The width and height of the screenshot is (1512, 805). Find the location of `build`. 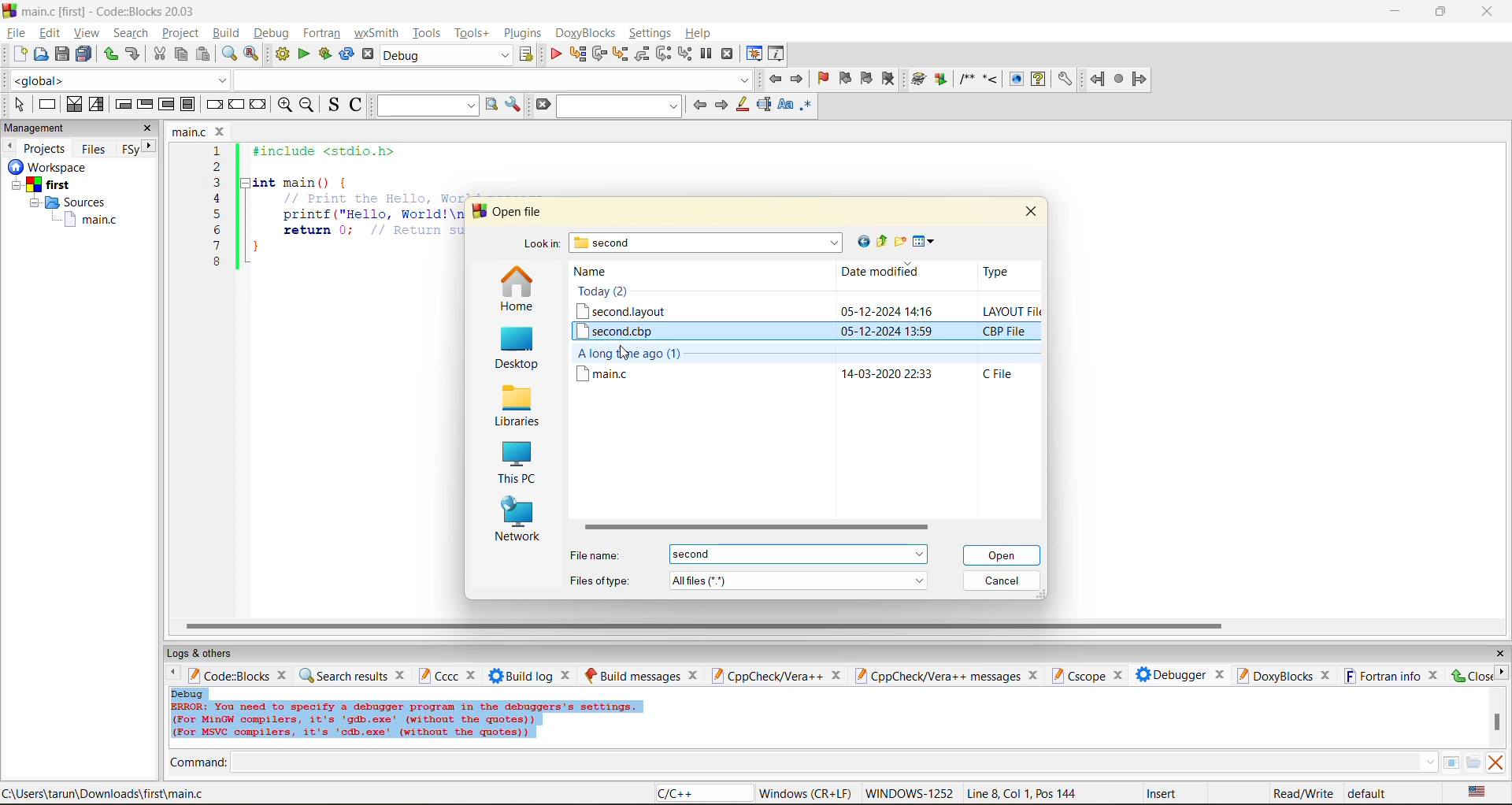

build is located at coordinates (282, 54).